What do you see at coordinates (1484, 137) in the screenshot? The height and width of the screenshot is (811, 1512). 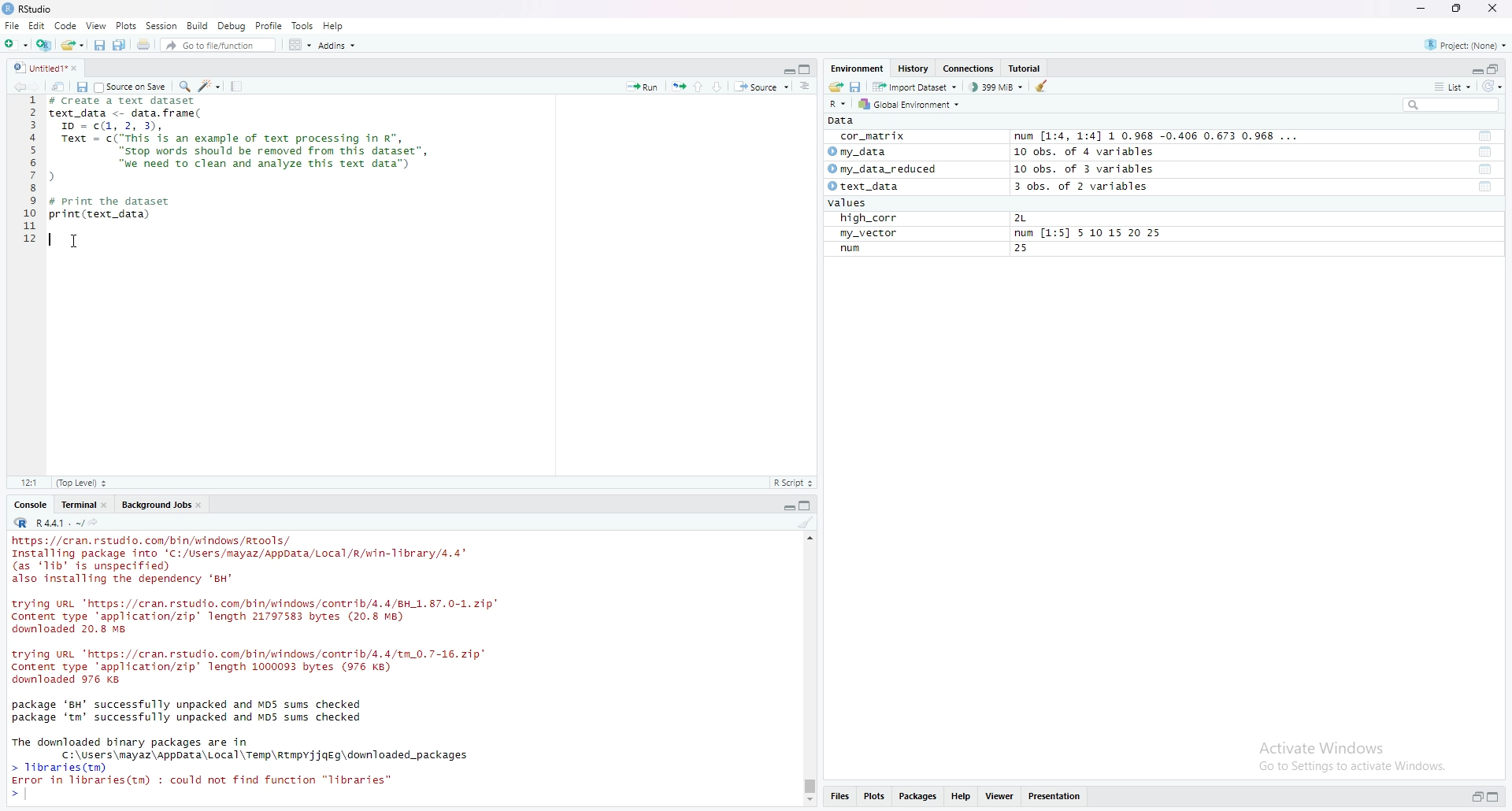 I see `functions` at bounding box center [1484, 137].